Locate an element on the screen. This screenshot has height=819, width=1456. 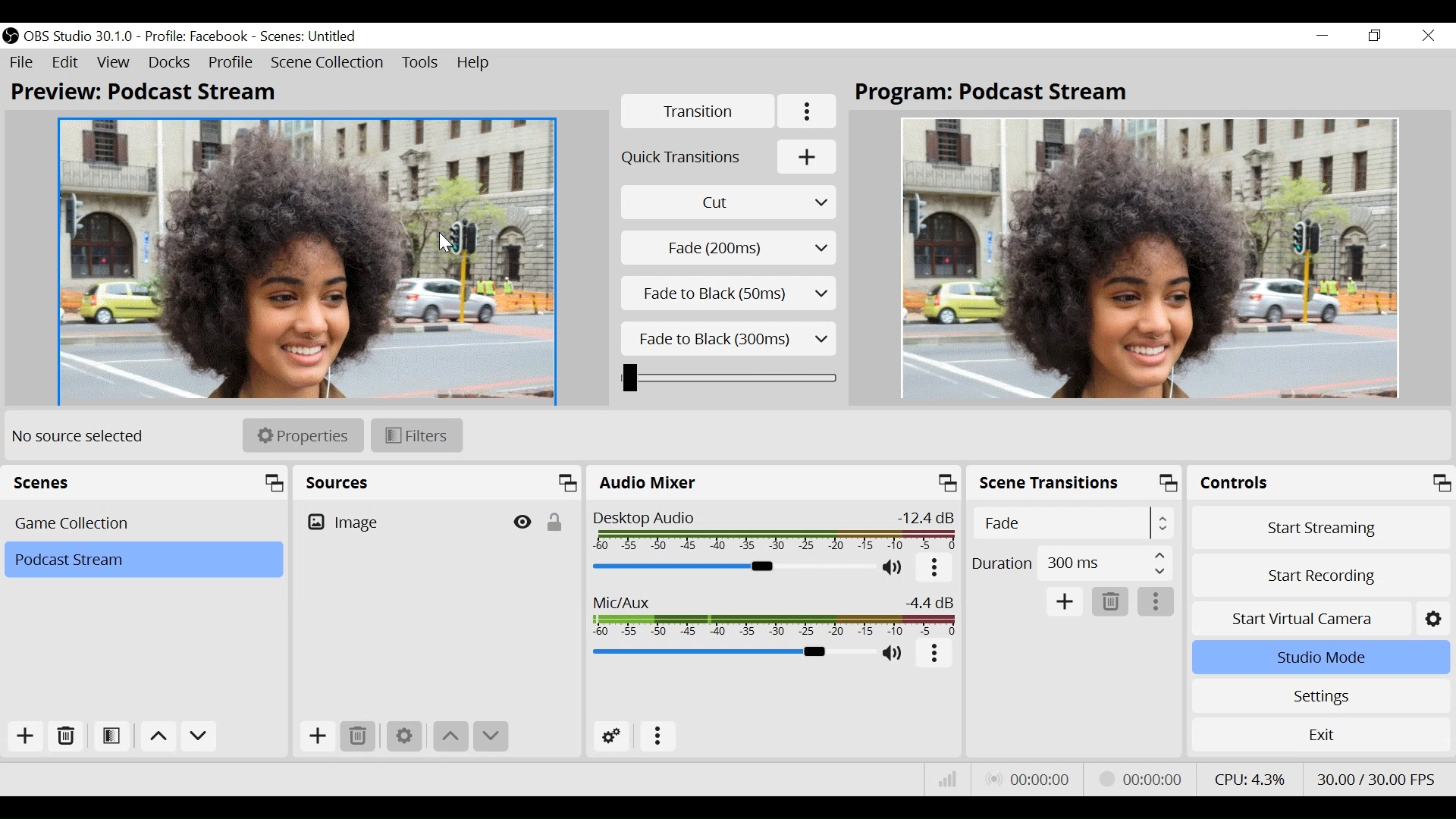
Fade to black is located at coordinates (730, 293).